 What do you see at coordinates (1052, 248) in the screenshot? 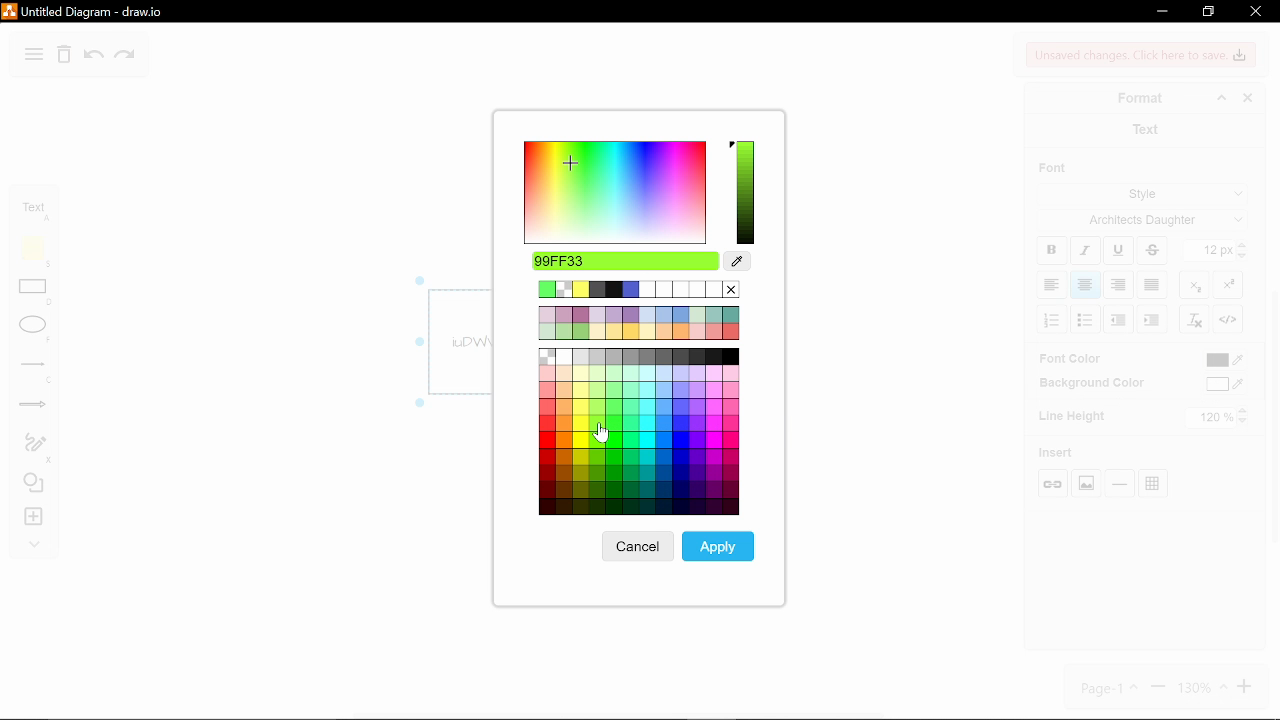
I see `bold ` at bounding box center [1052, 248].